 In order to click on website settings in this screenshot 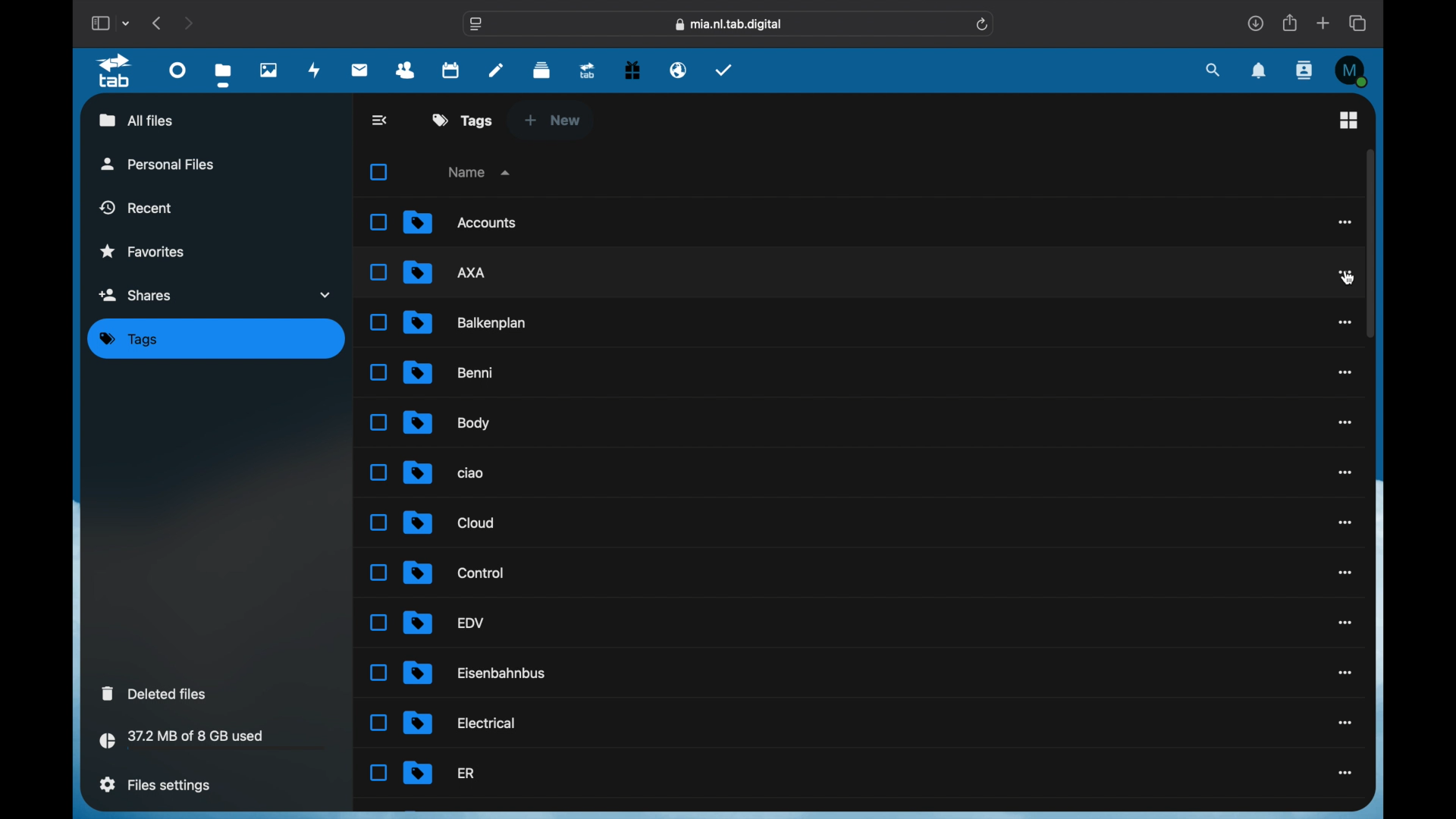, I will do `click(476, 25)`.